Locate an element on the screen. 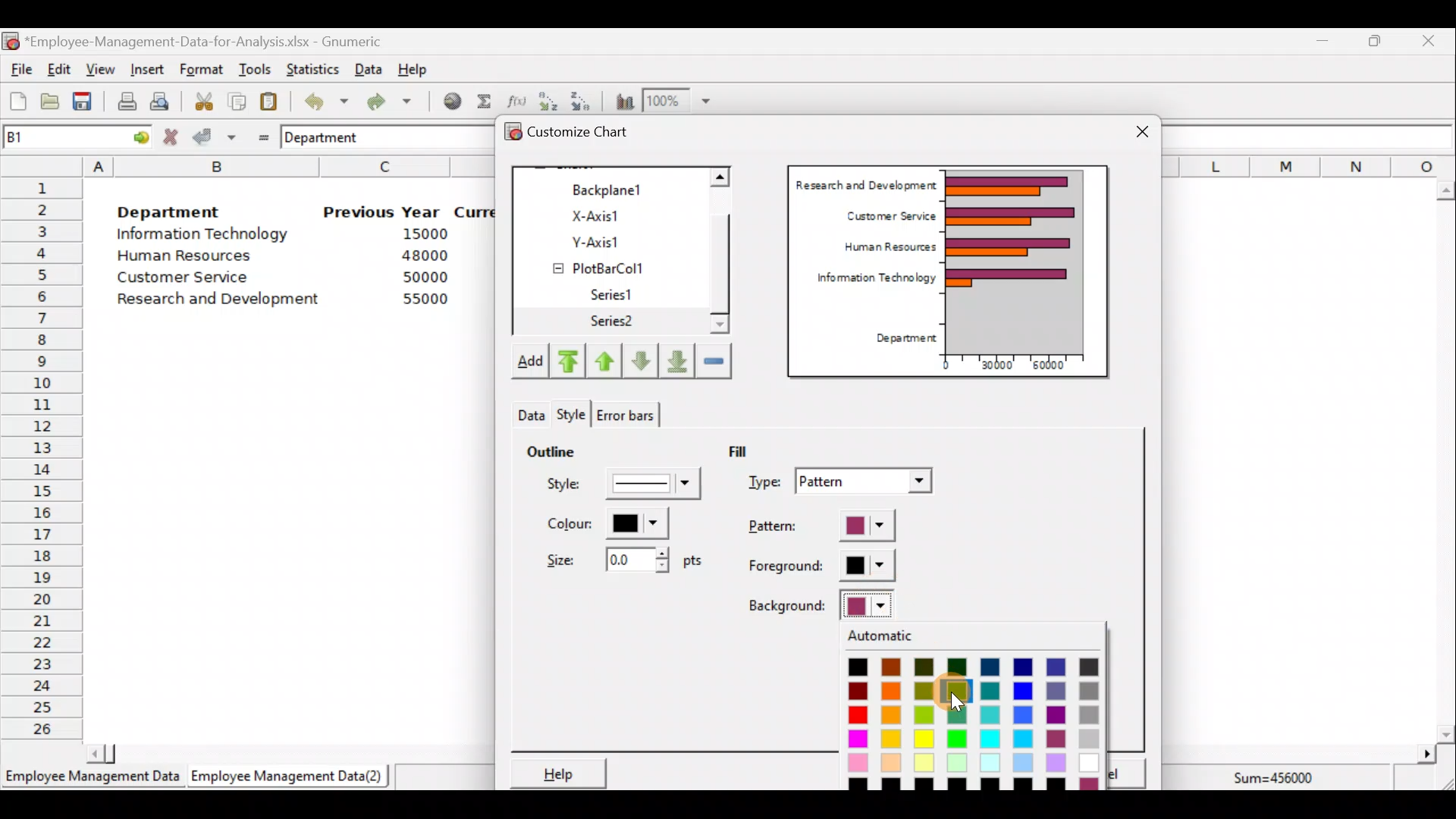 The height and width of the screenshot is (819, 1456). 55000 is located at coordinates (426, 299).